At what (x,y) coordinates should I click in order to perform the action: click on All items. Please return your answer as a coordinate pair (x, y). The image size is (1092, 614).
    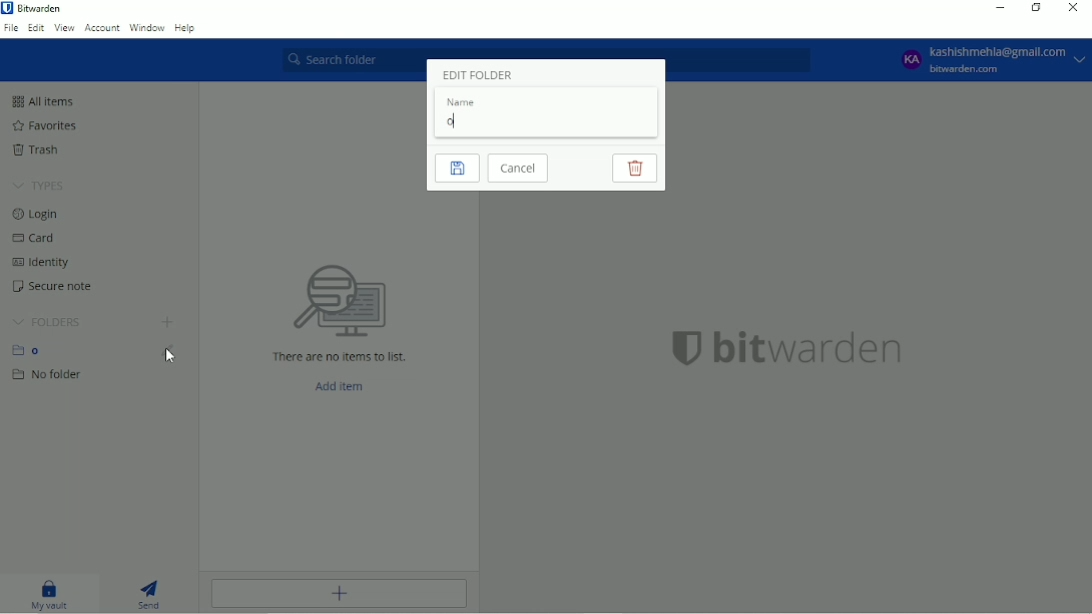
    Looking at the image, I should click on (42, 101).